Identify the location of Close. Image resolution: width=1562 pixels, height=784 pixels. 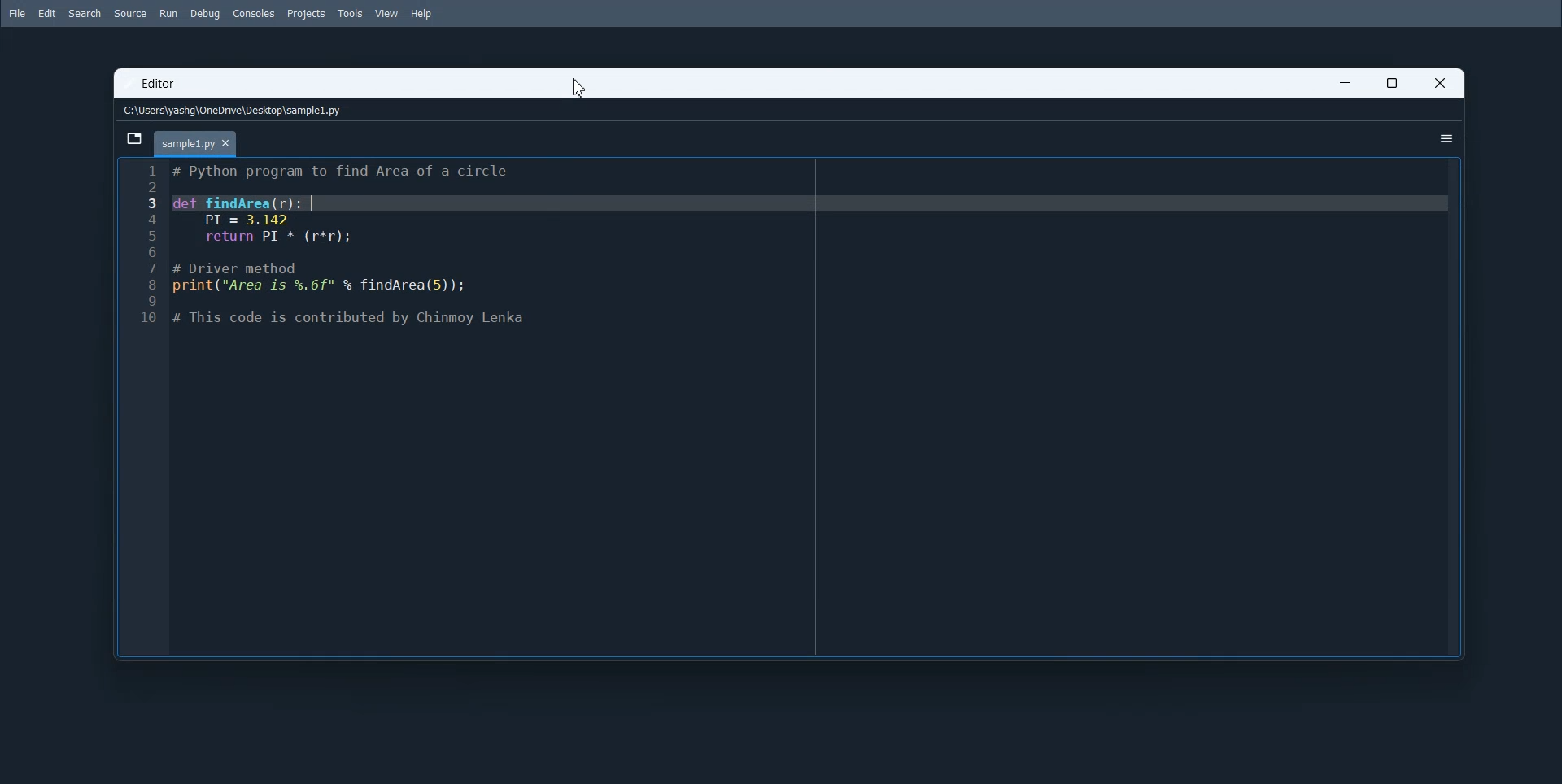
(1439, 83).